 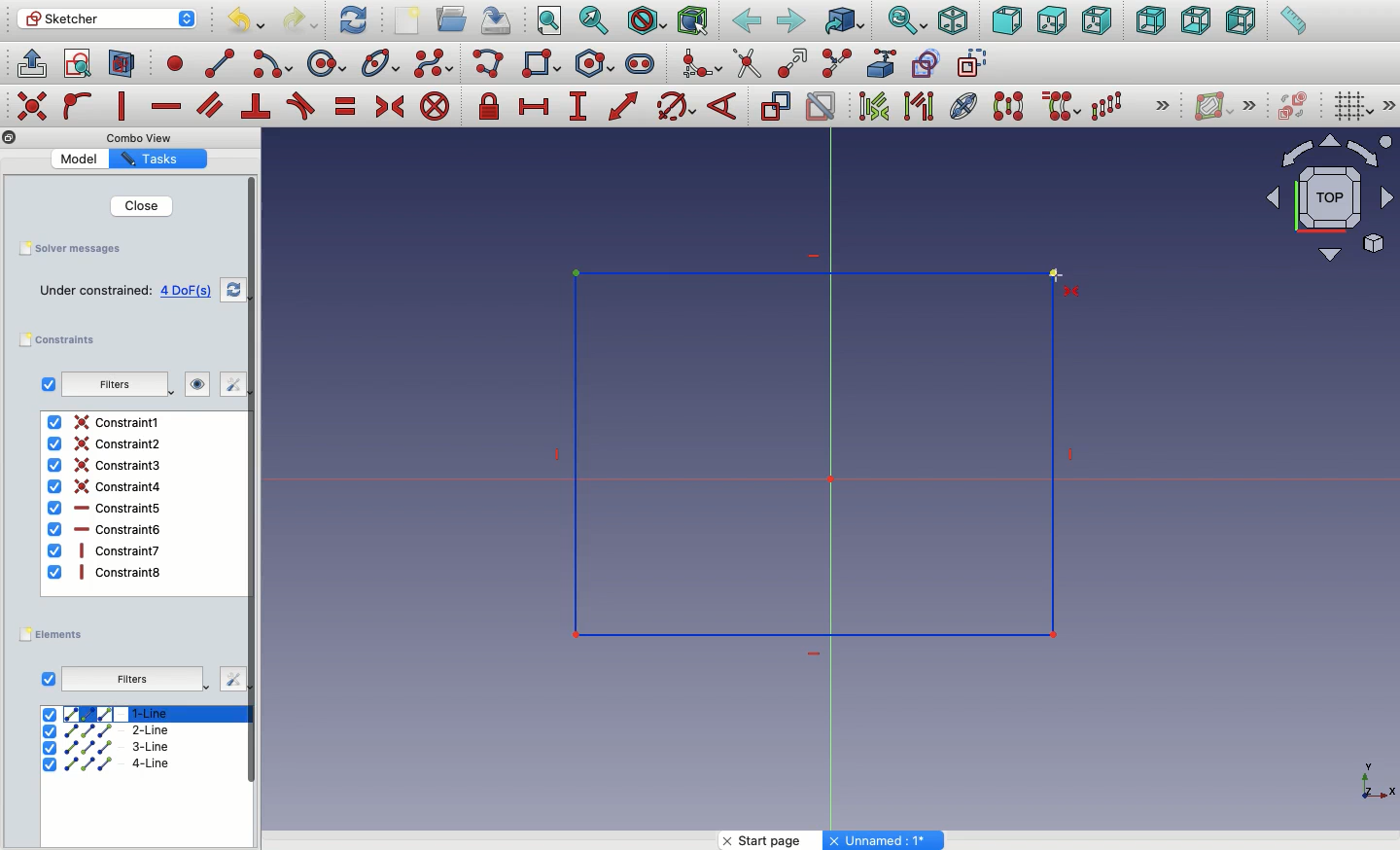 What do you see at coordinates (389, 110) in the screenshot?
I see `constrain symmetrical ` at bounding box center [389, 110].